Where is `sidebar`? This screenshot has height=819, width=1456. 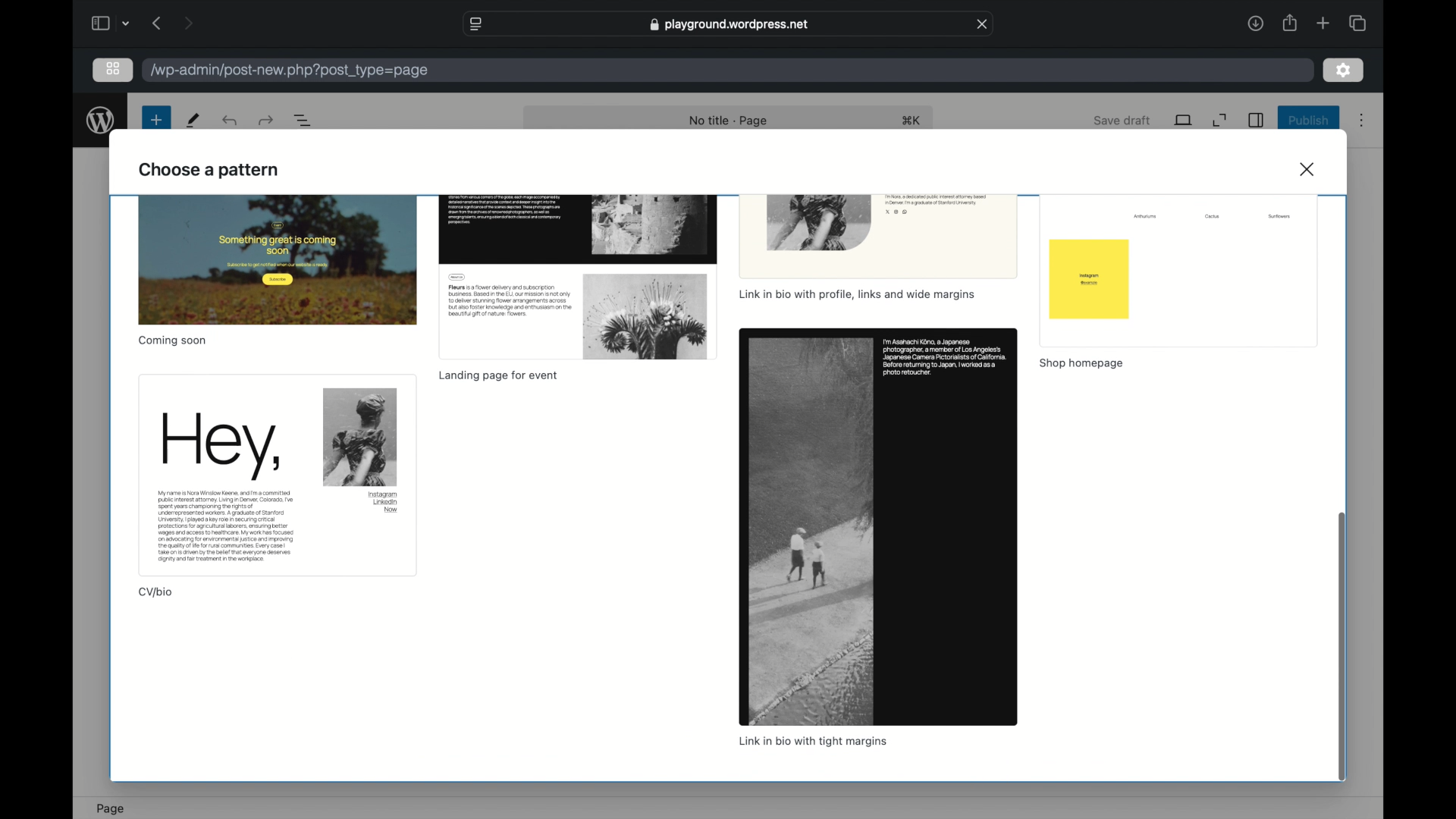 sidebar is located at coordinates (1256, 120).